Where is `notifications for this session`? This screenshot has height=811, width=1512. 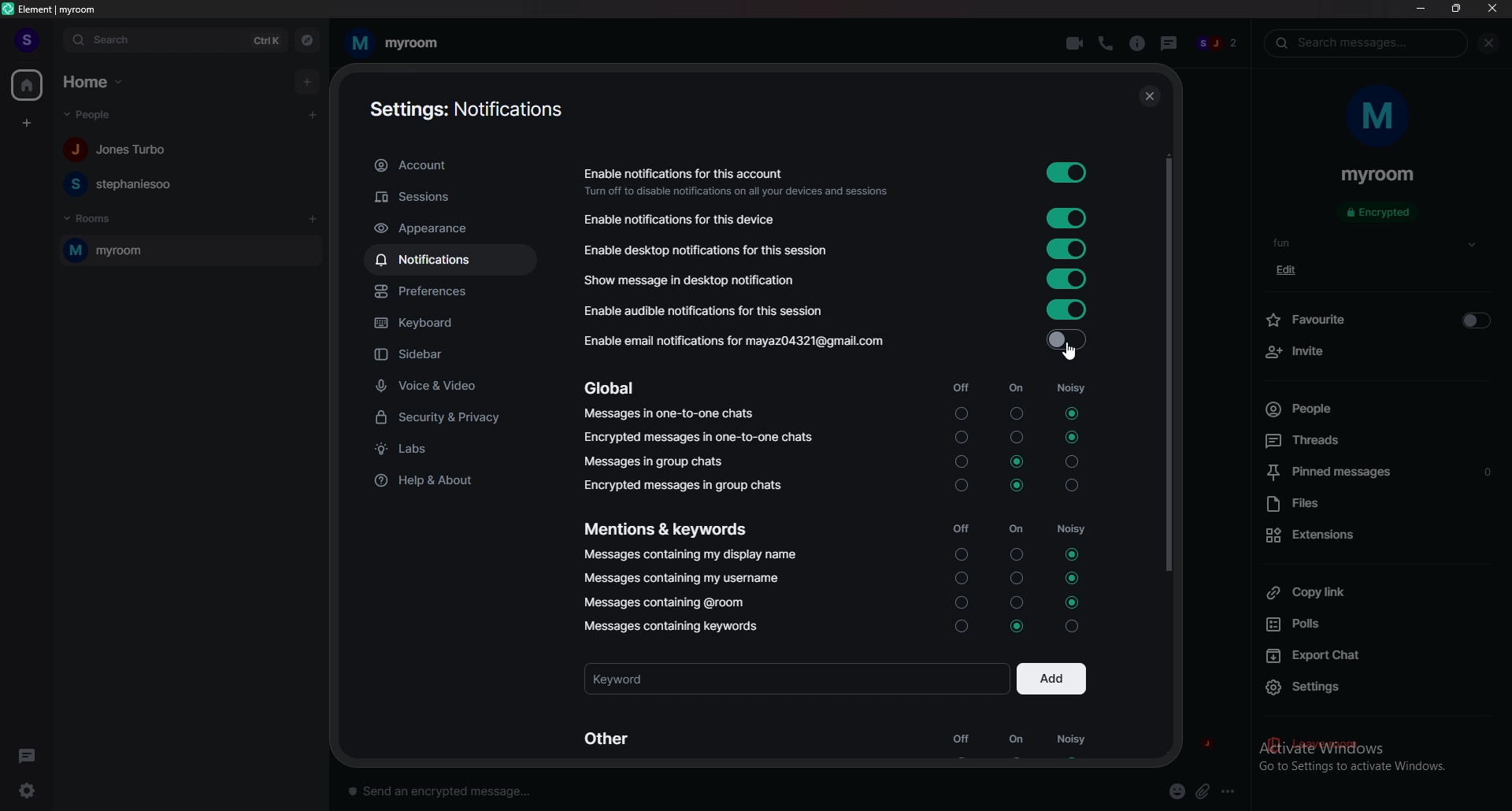 notifications for this session is located at coordinates (835, 249).